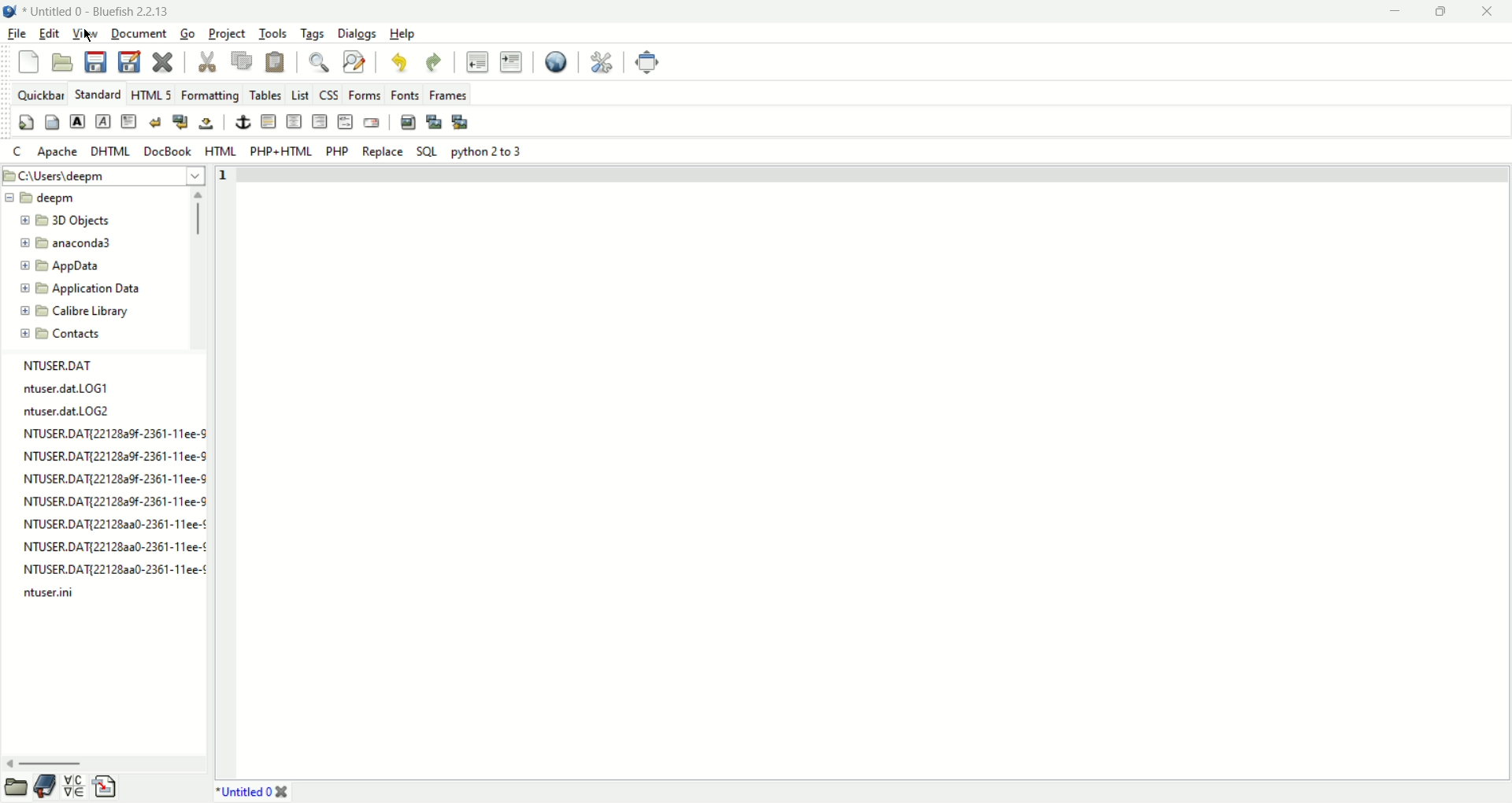 The width and height of the screenshot is (1512, 803). What do you see at coordinates (115, 456) in the screenshot?
I see `NTUSER.DAT{22128a9f-2361-11ee-9` at bounding box center [115, 456].